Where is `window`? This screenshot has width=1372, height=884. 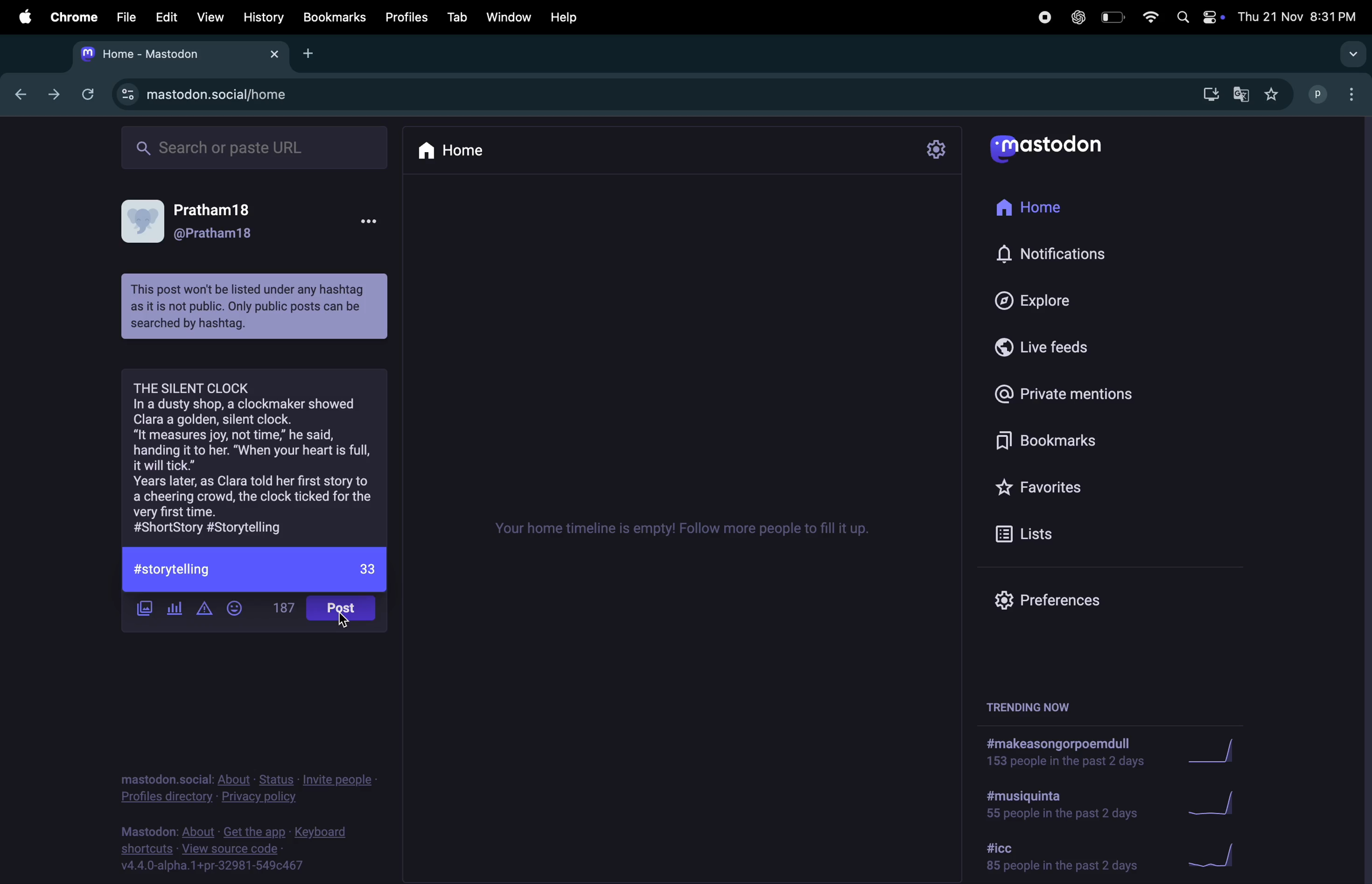
window is located at coordinates (508, 17).